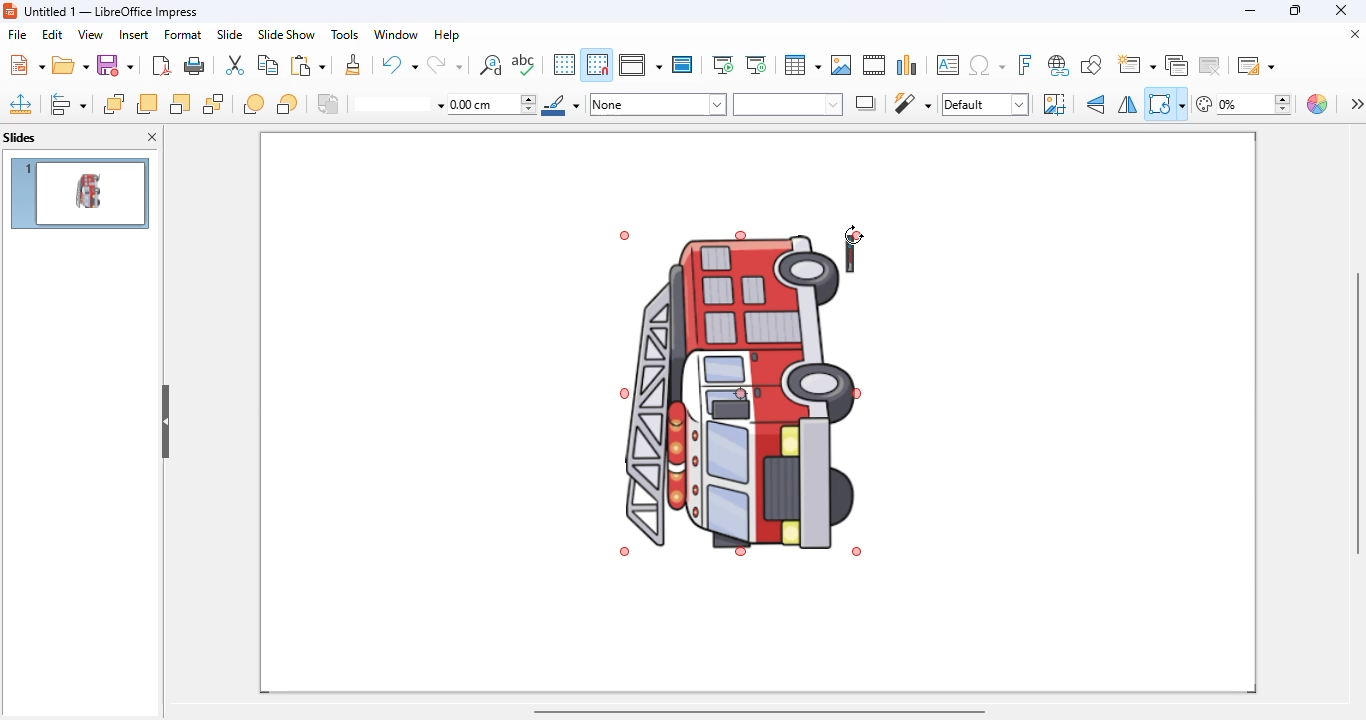 This screenshot has height=720, width=1366. I want to click on vertically, so click(1097, 104).